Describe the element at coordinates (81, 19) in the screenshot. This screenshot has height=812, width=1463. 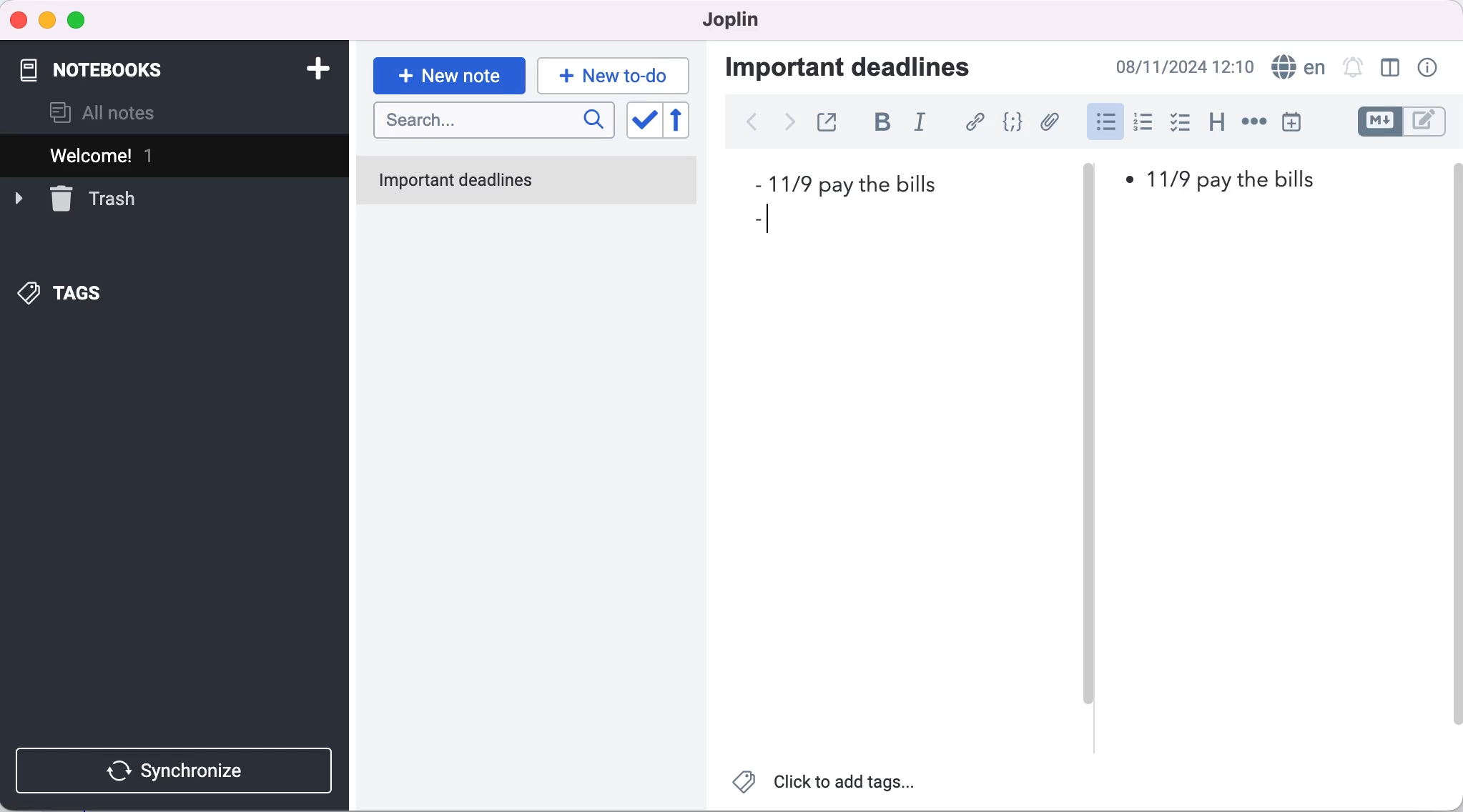
I see `maximize` at that location.